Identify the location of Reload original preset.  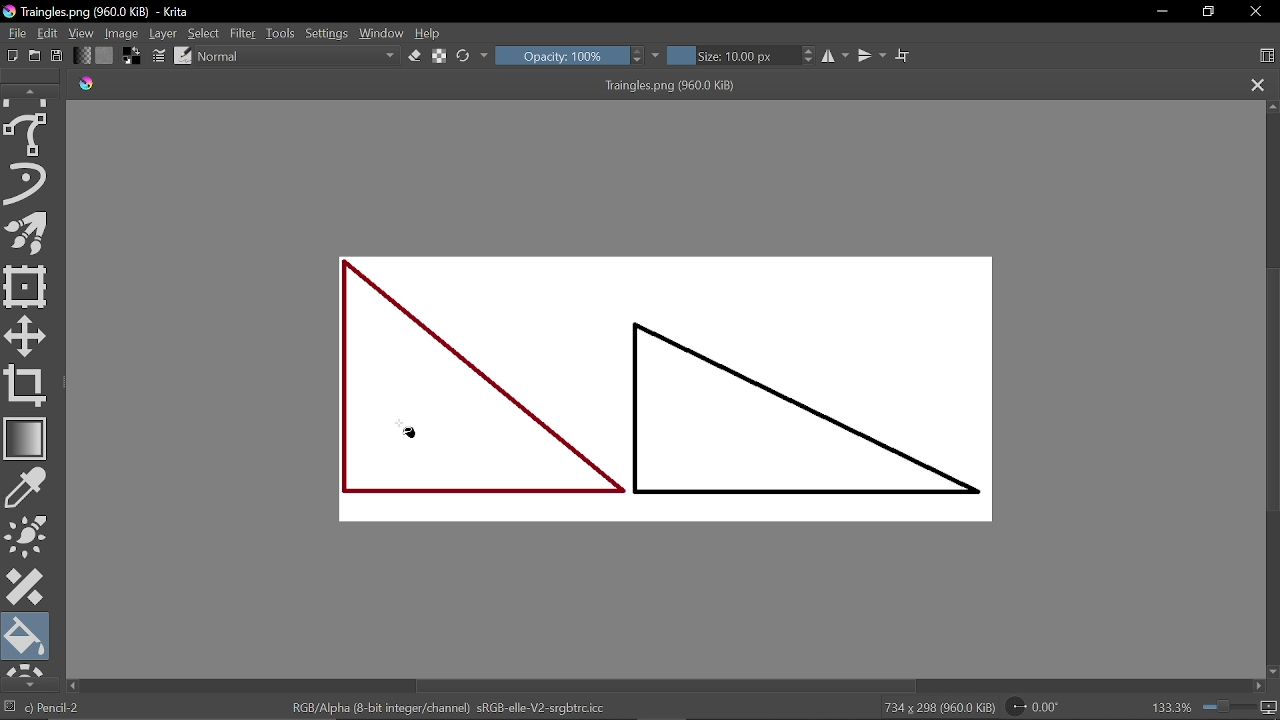
(464, 56).